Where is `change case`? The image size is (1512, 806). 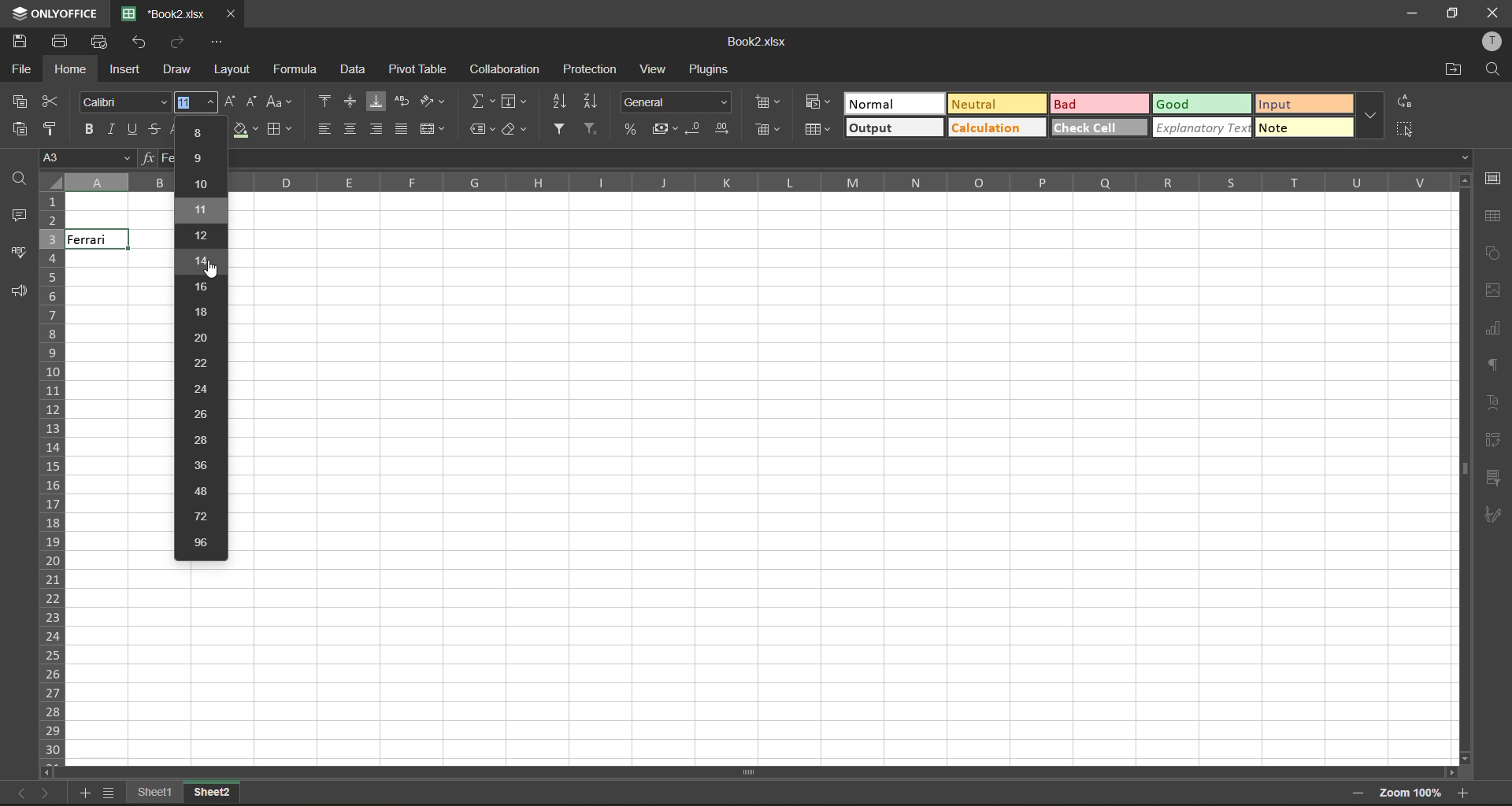 change case is located at coordinates (281, 100).